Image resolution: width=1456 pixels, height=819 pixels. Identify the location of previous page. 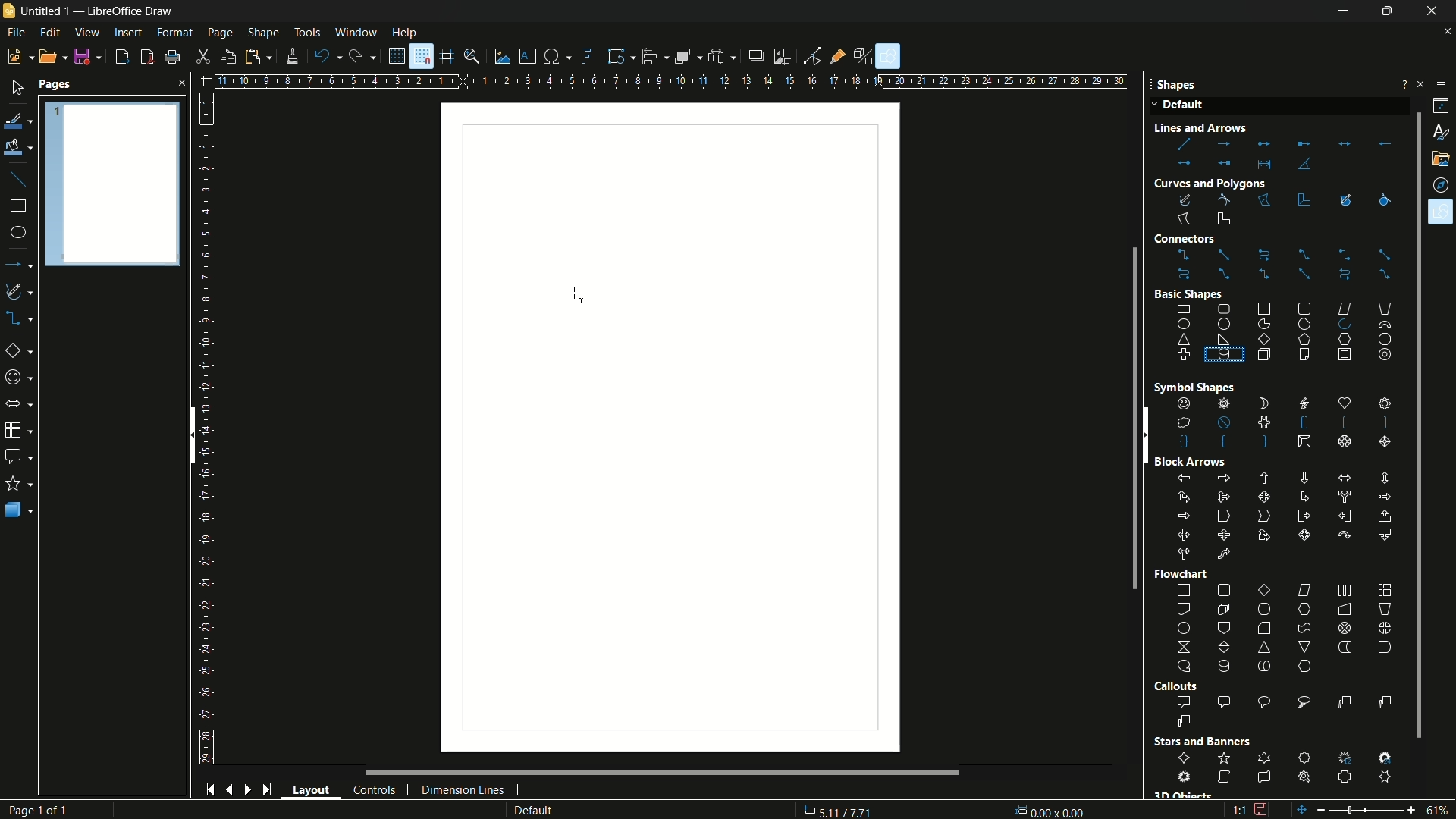
(230, 792).